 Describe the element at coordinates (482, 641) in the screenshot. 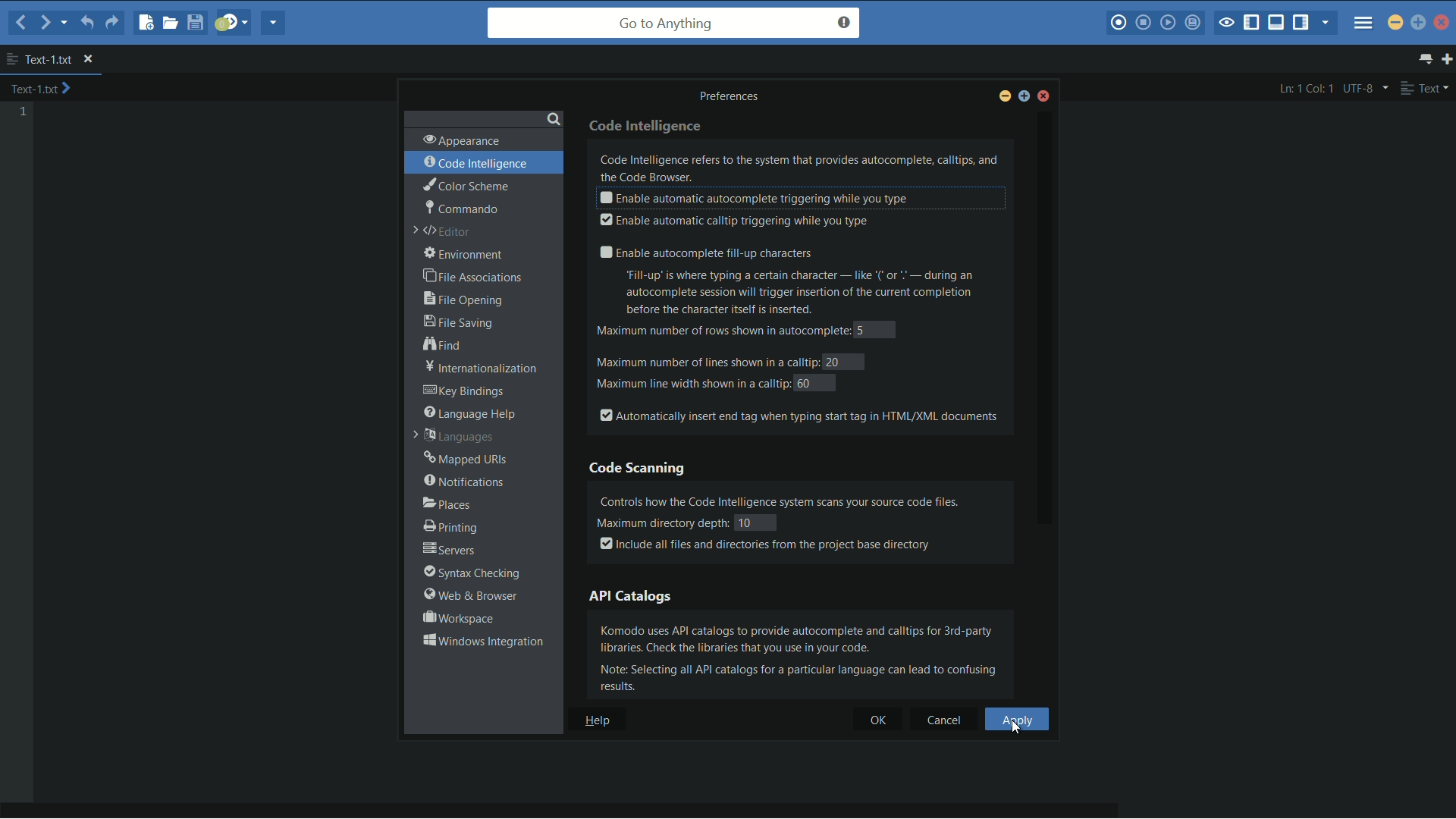

I see `window interactions` at that location.